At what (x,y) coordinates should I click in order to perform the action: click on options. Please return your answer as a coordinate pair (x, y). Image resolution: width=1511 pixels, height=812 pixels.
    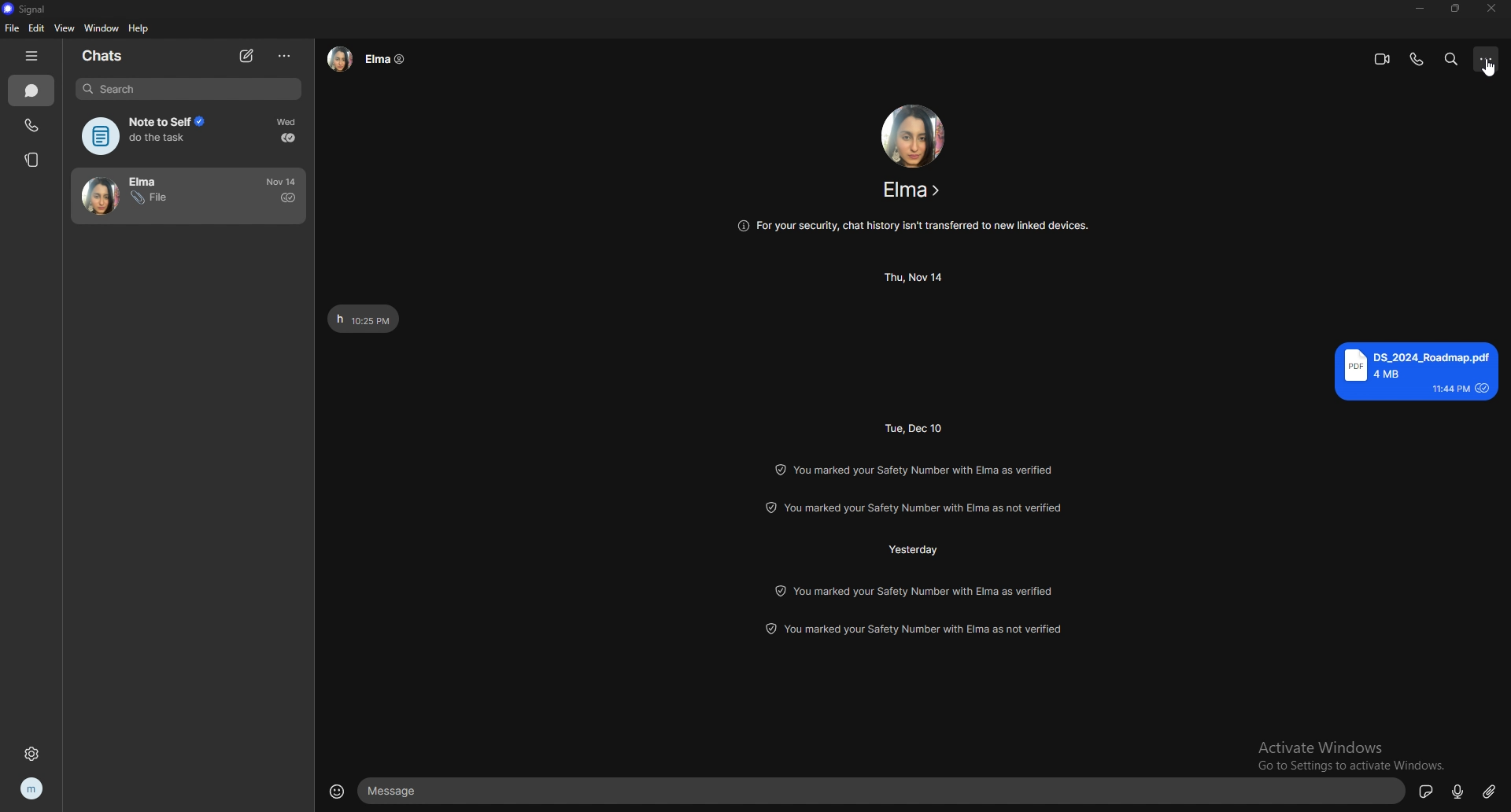
    Looking at the image, I should click on (1485, 57).